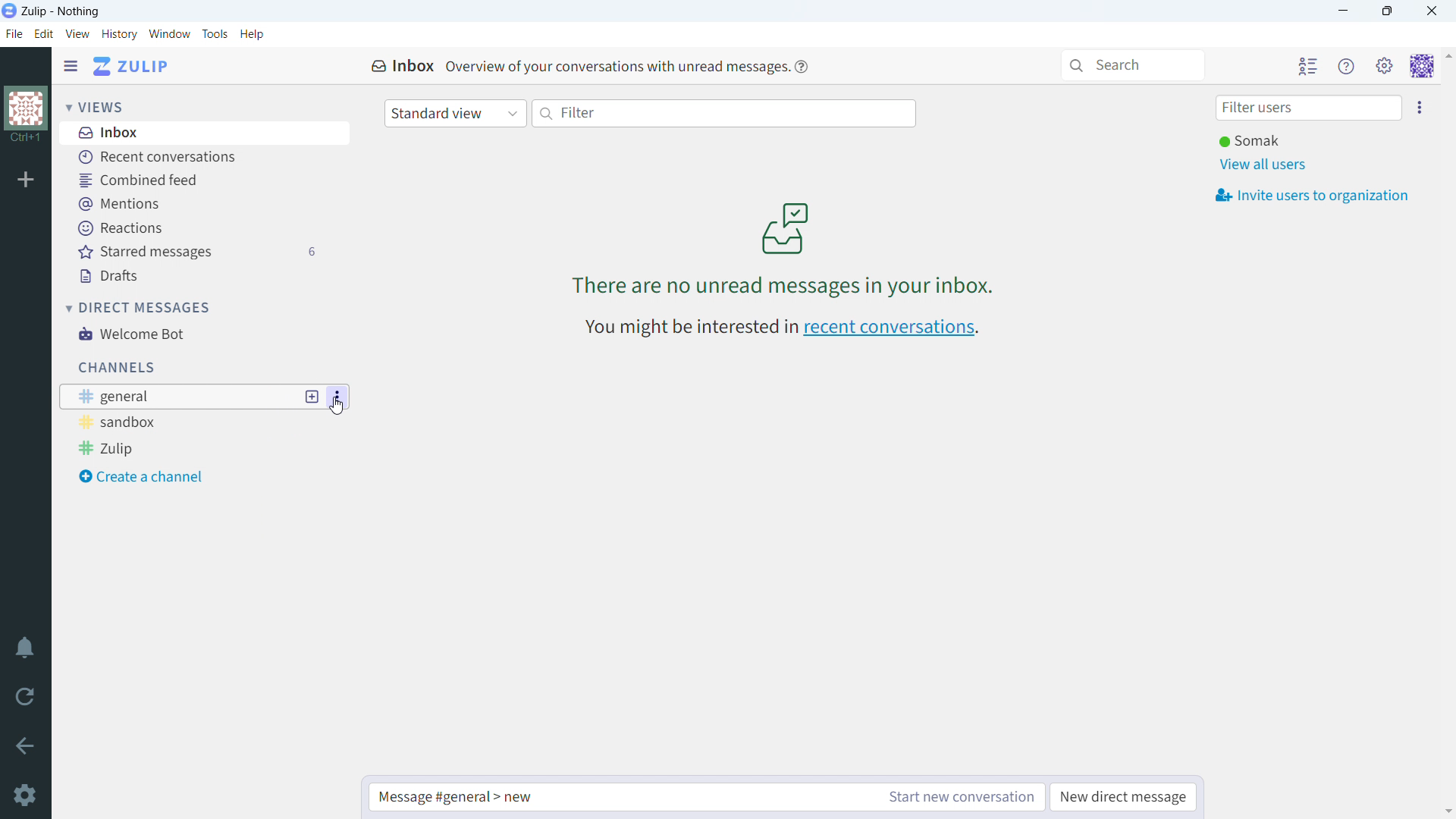 This screenshot has width=1456, height=819. What do you see at coordinates (1308, 65) in the screenshot?
I see `hide user list` at bounding box center [1308, 65].